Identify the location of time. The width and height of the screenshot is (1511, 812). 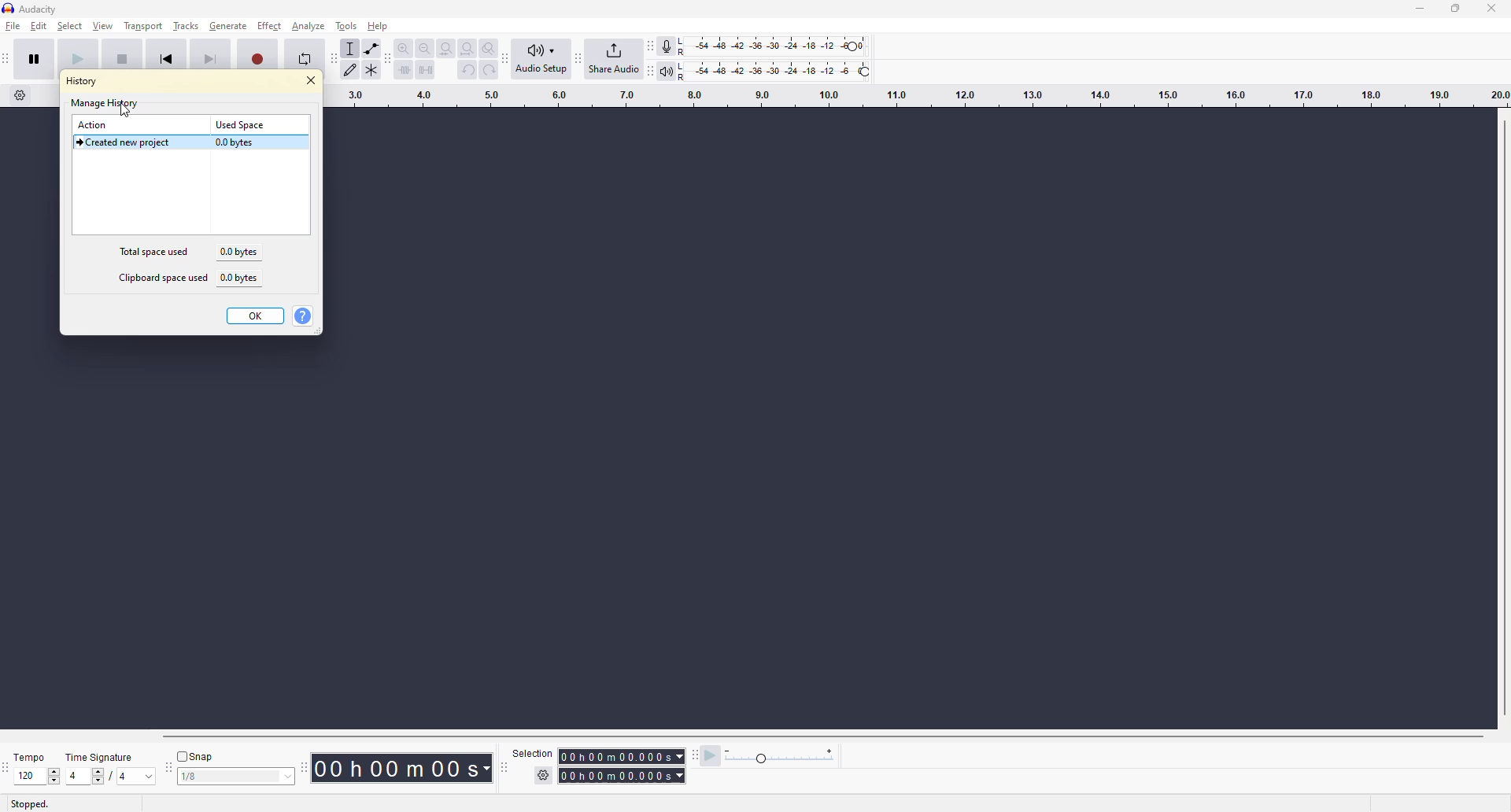
(399, 767).